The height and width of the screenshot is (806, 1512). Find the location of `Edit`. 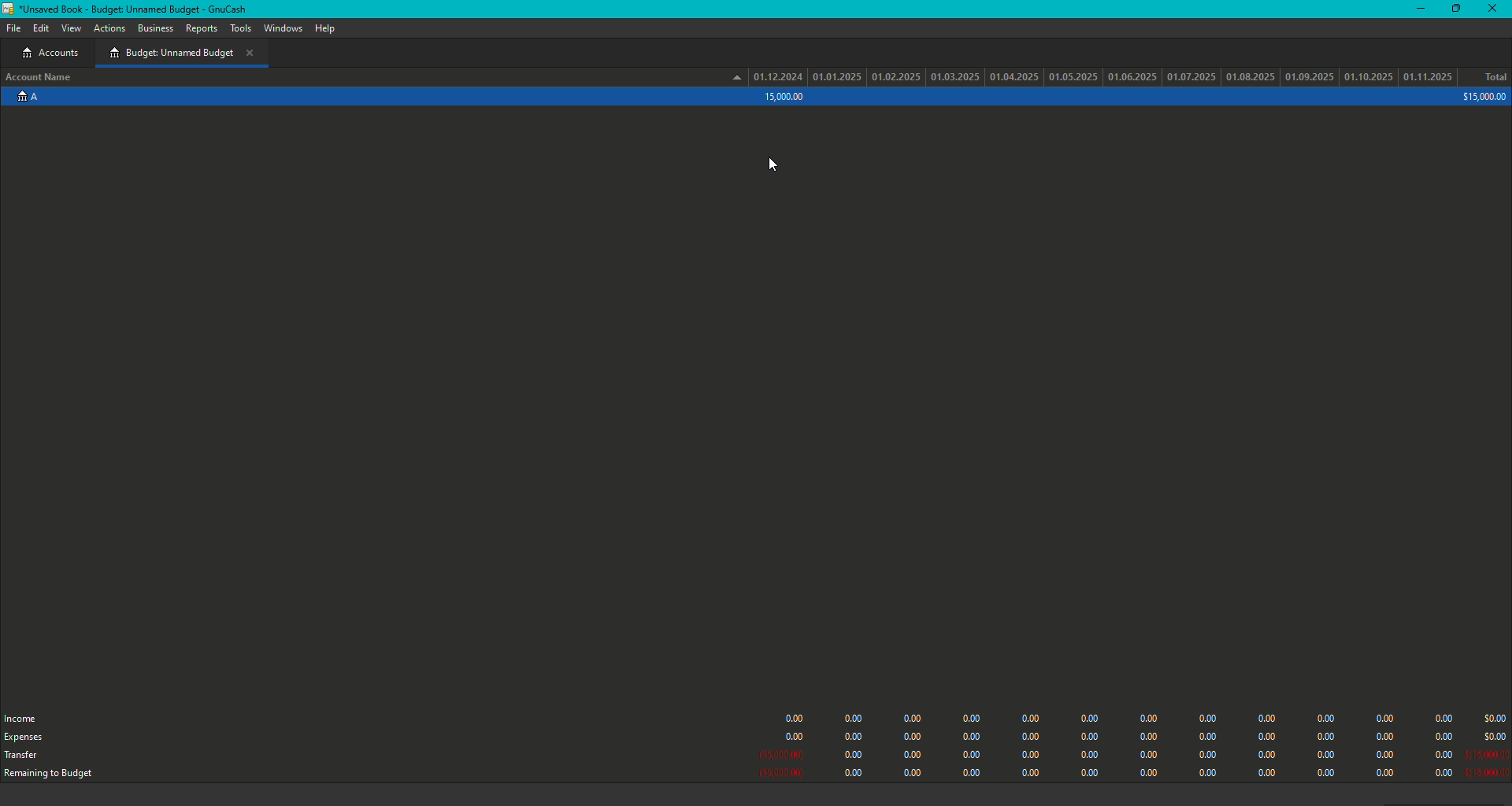

Edit is located at coordinates (41, 30).